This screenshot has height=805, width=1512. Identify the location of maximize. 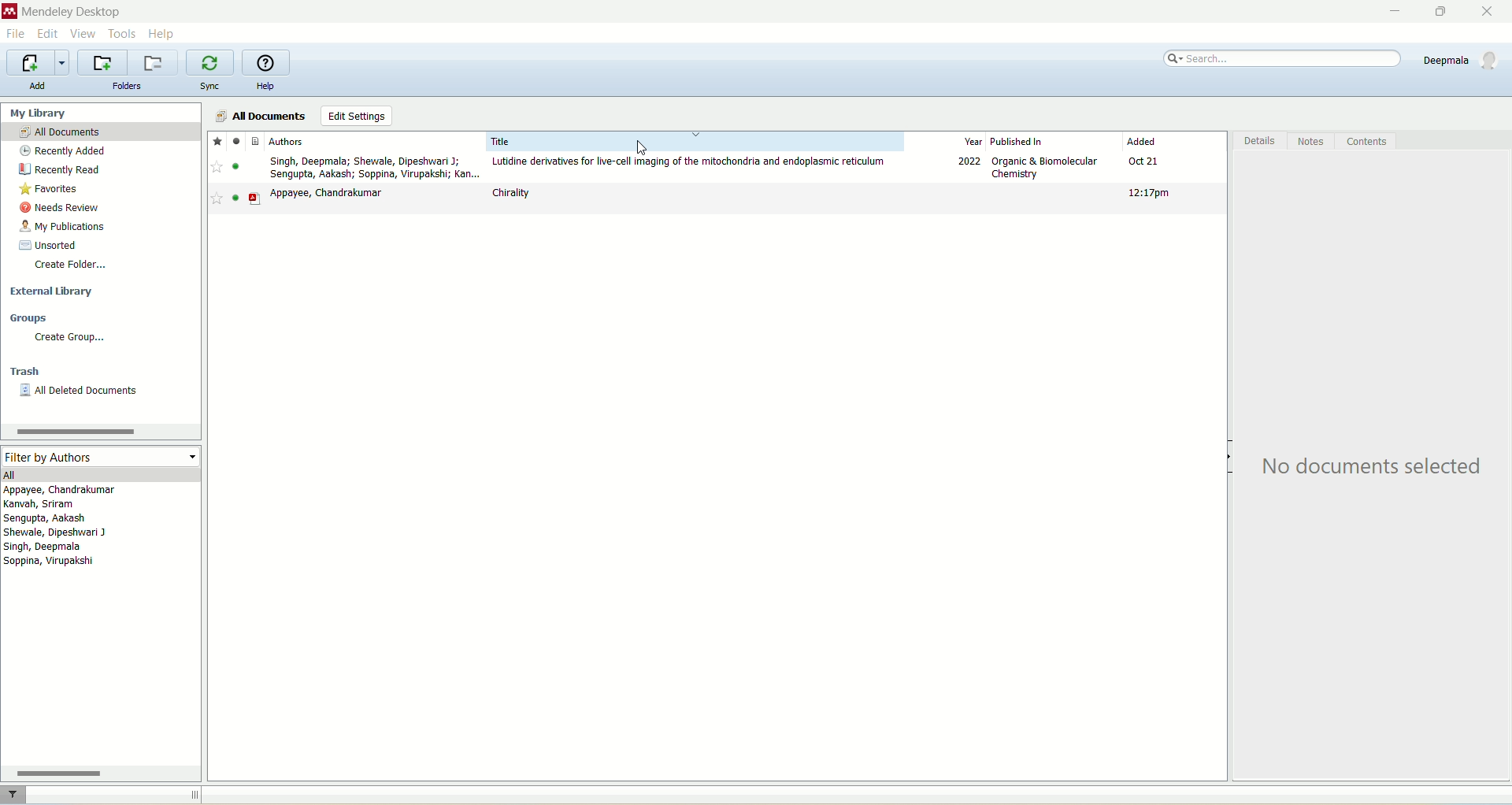
(1443, 13).